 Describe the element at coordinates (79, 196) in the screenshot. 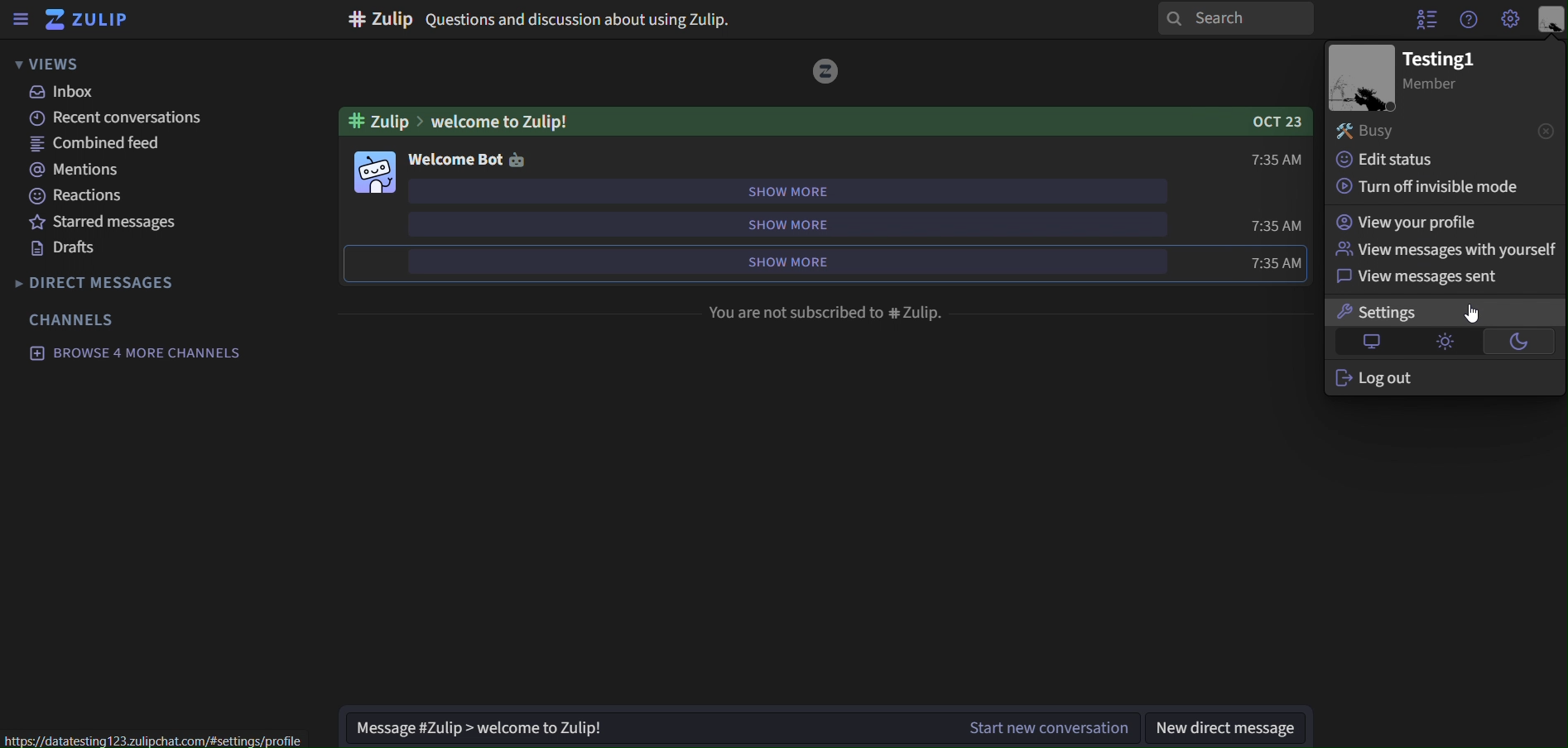

I see `reactions` at that location.